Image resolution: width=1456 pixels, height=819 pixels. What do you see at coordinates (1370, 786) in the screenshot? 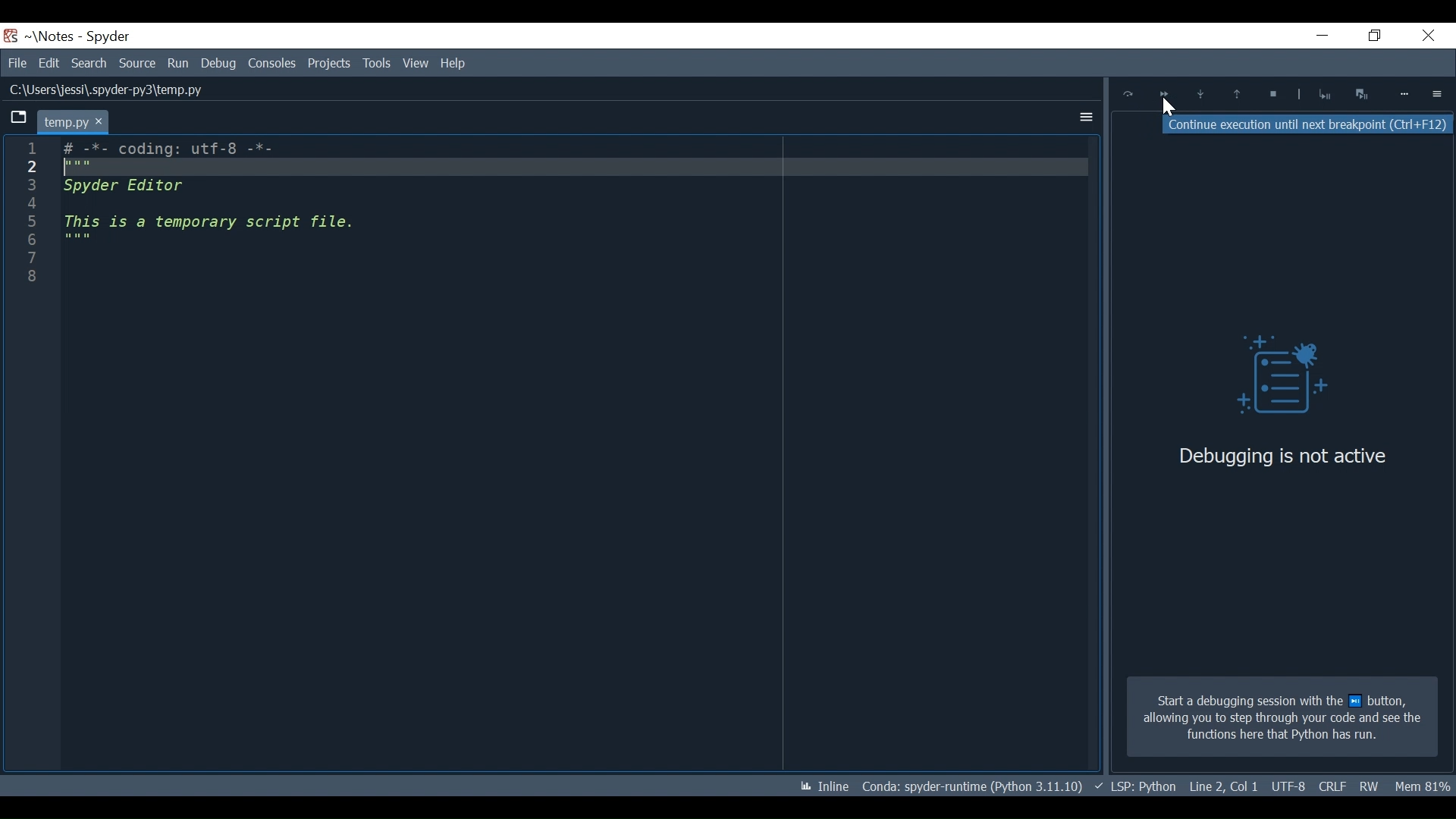
I see `File Permission` at bounding box center [1370, 786].